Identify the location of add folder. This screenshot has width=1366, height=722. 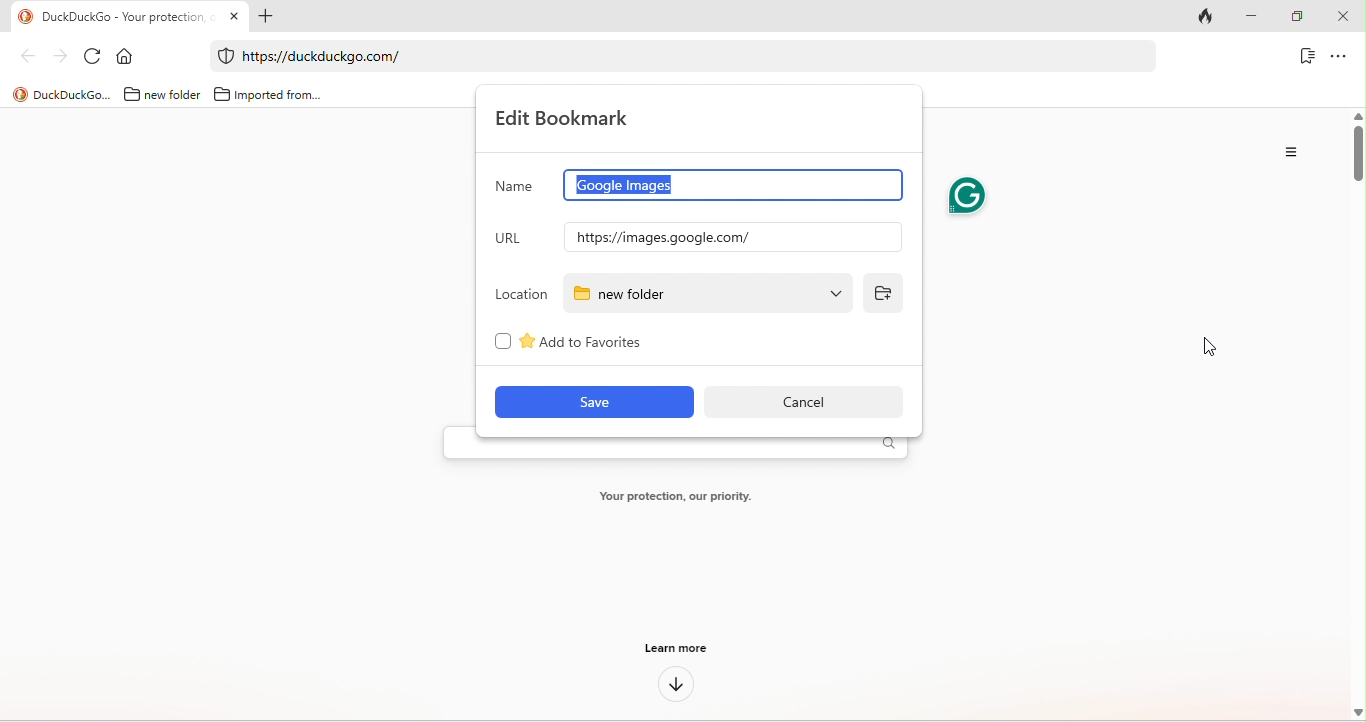
(882, 290).